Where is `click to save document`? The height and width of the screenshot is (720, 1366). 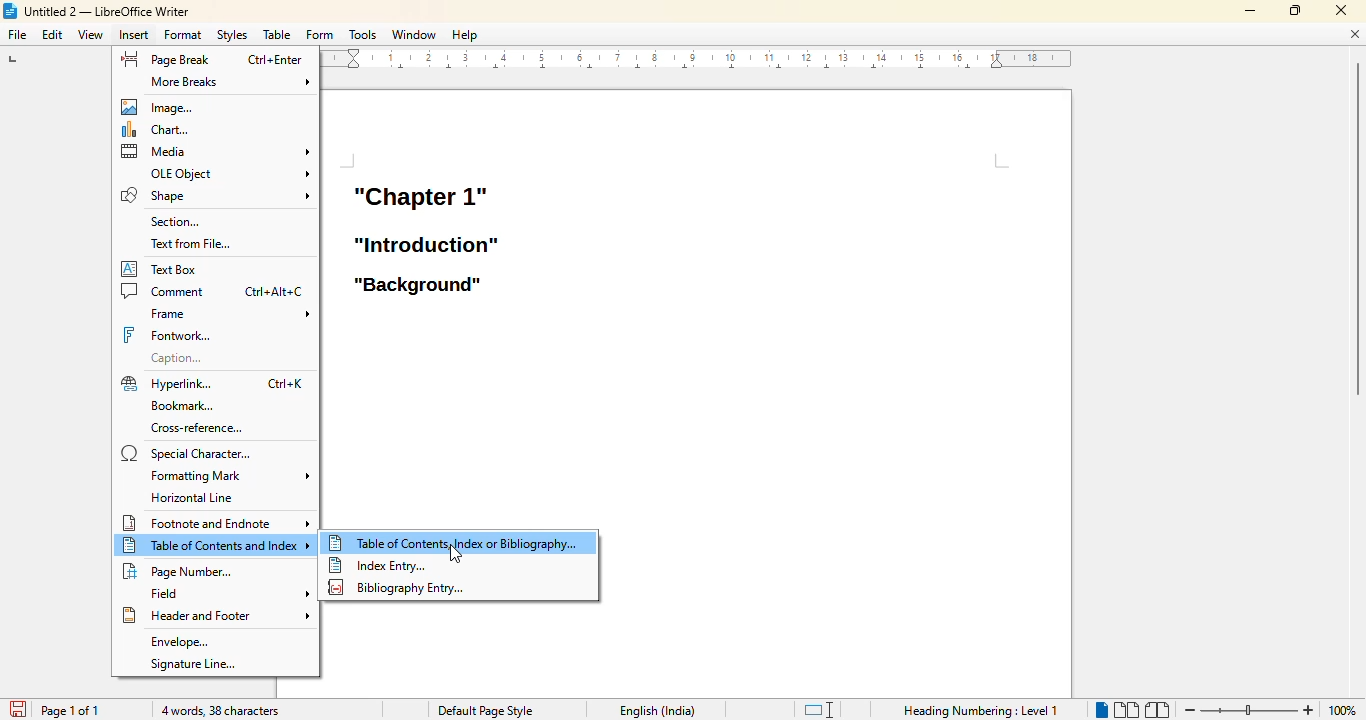
click to save document is located at coordinates (17, 709).